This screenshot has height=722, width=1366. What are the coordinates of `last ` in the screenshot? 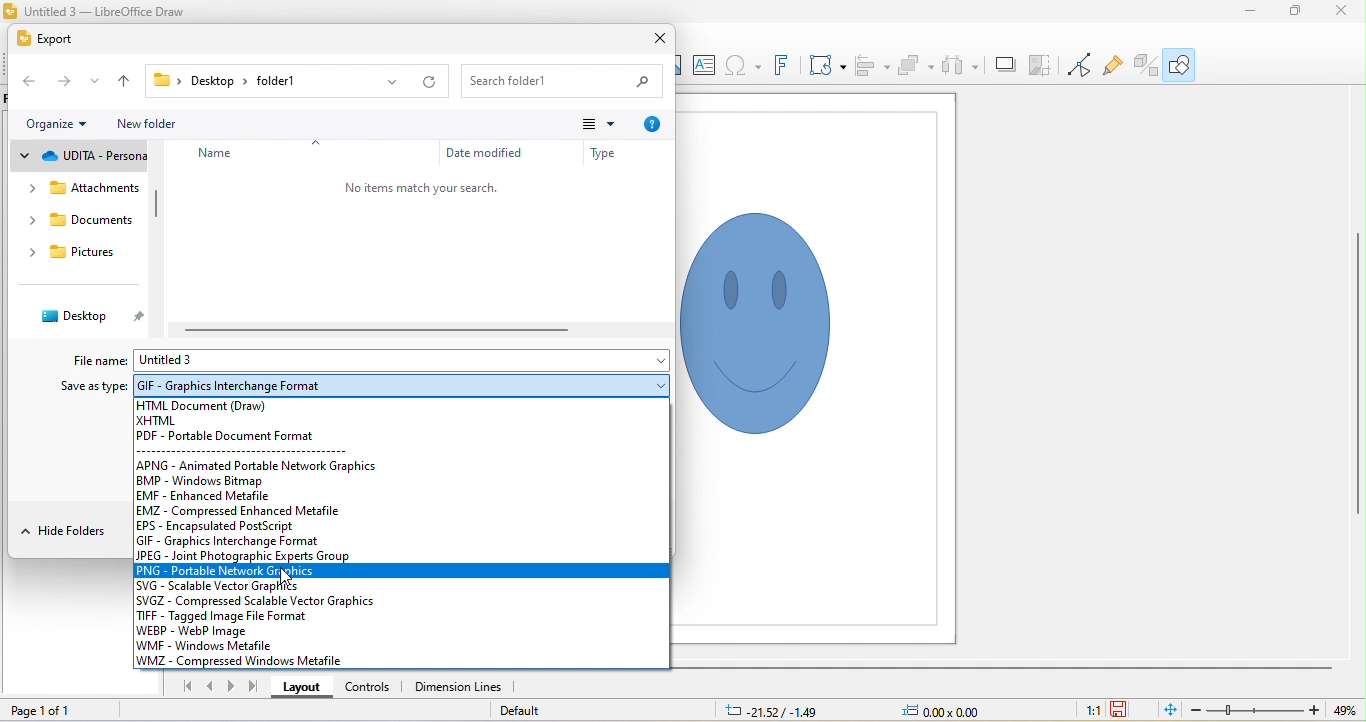 It's located at (254, 685).